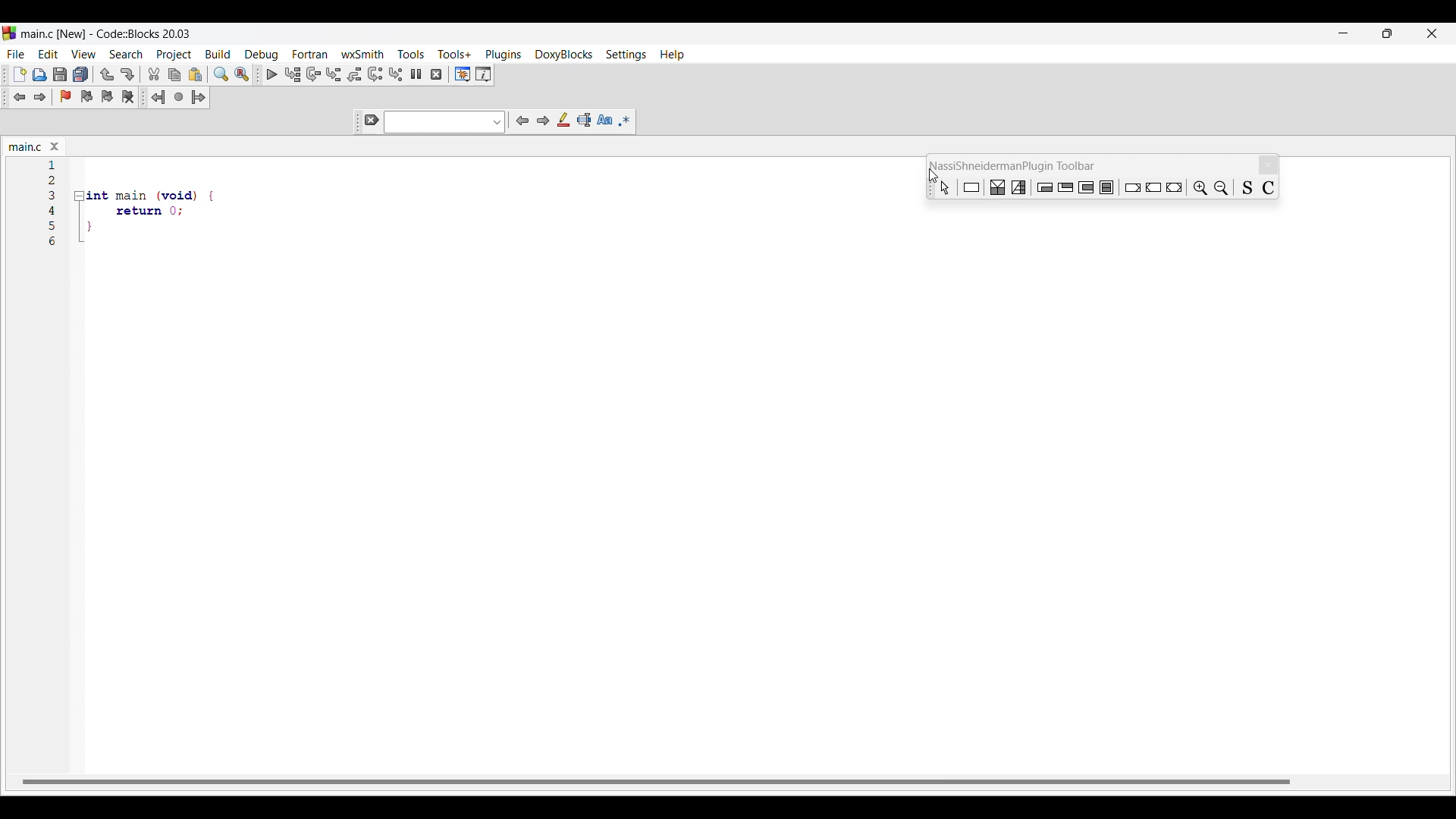 This screenshot has height=819, width=1456. I want to click on Clear, so click(372, 120).